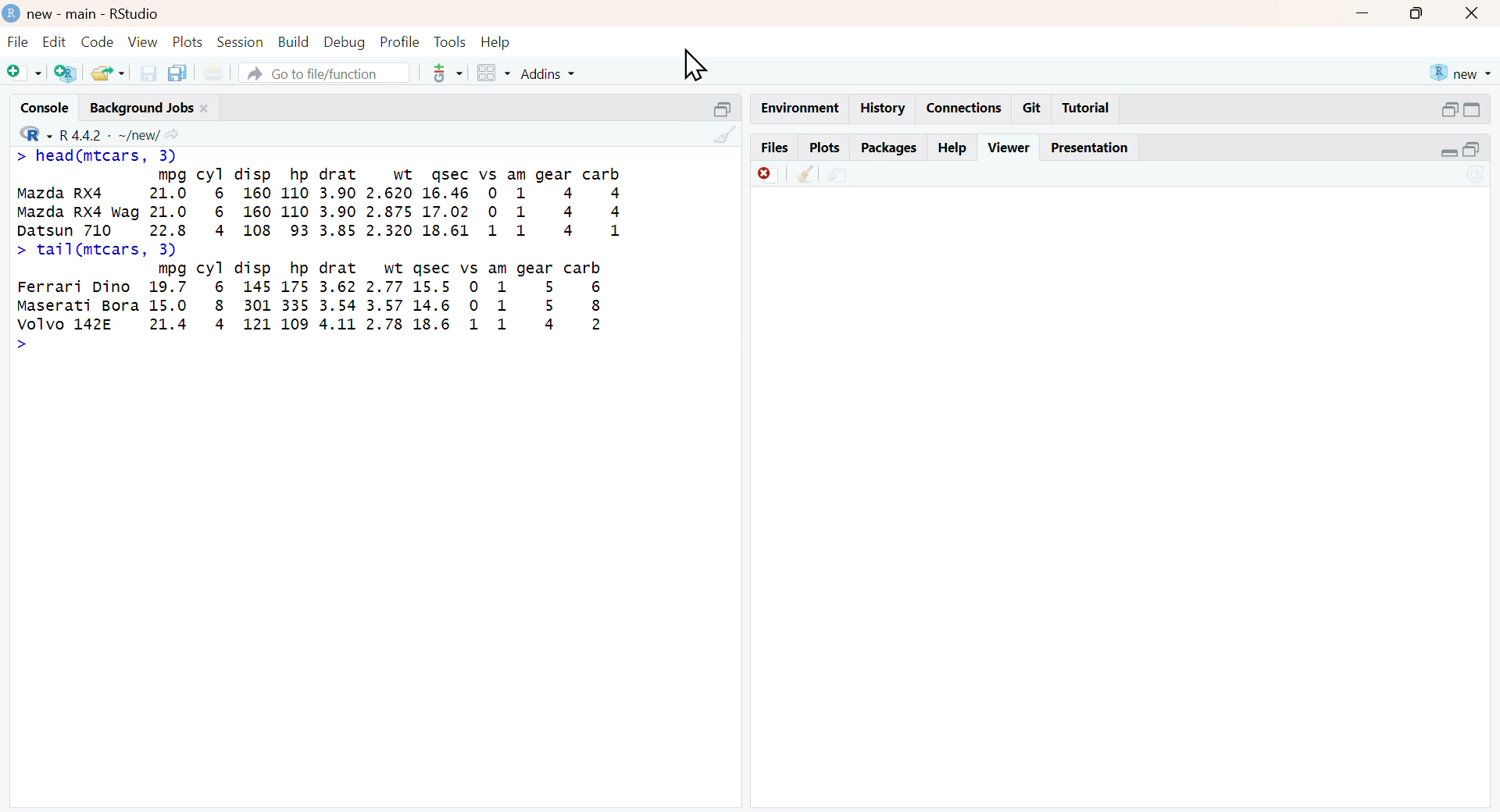  Describe the element at coordinates (1460, 150) in the screenshot. I see `minimize/maximize` at that location.